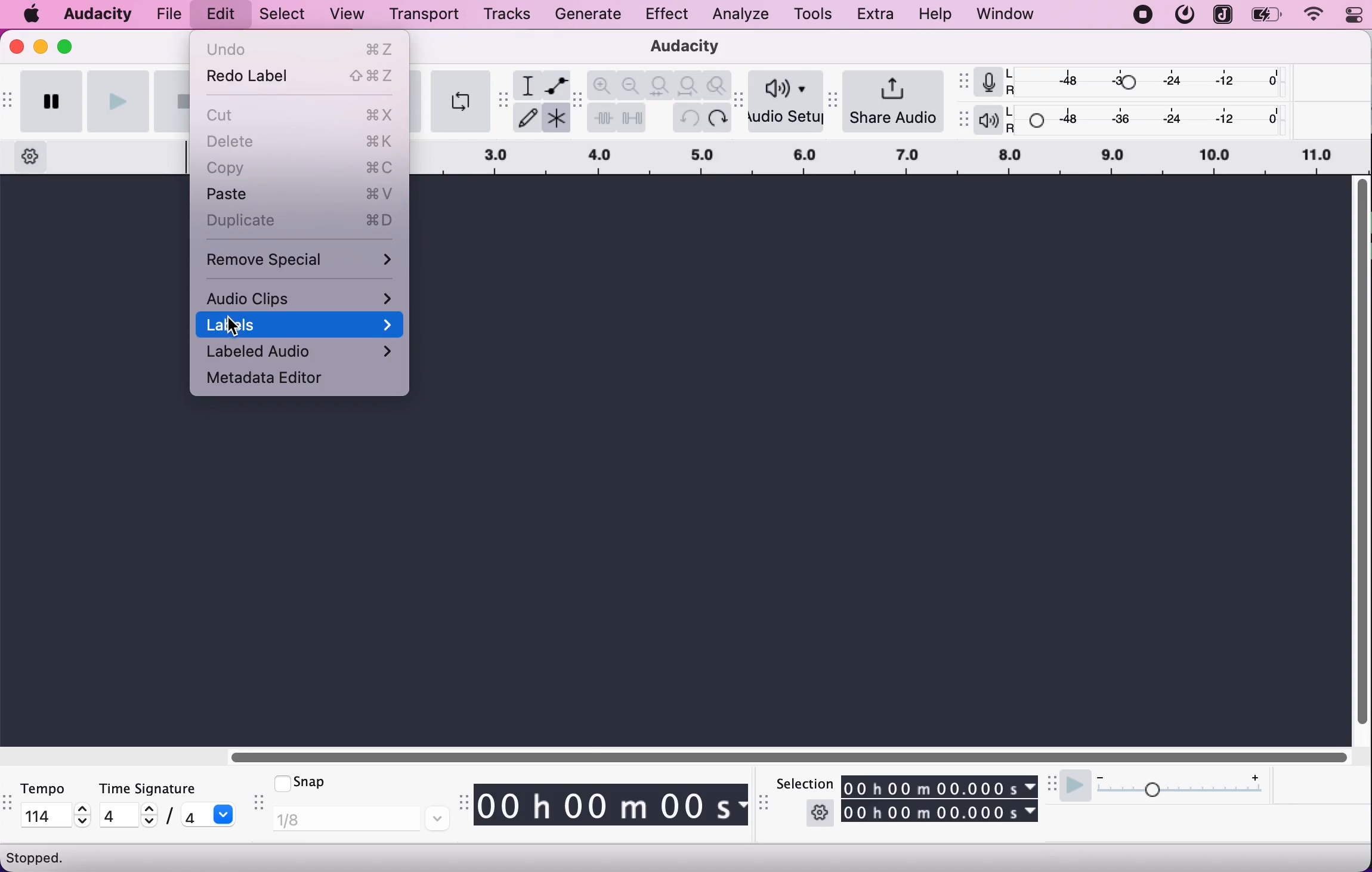 This screenshot has width=1372, height=872. Describe the element at coordinates (613, 806) in the screenshot. I see `track timing` at that location.